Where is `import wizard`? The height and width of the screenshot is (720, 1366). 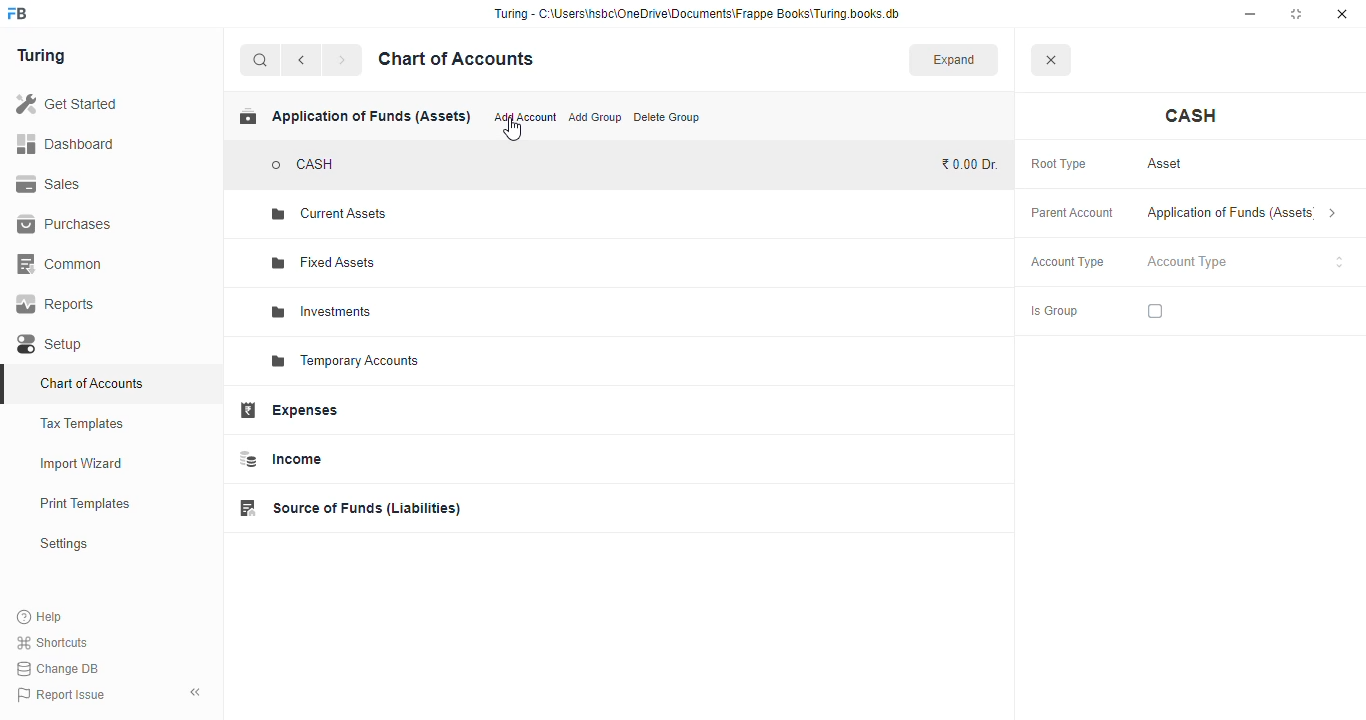
import wizard is located at coordinates (82, 464).